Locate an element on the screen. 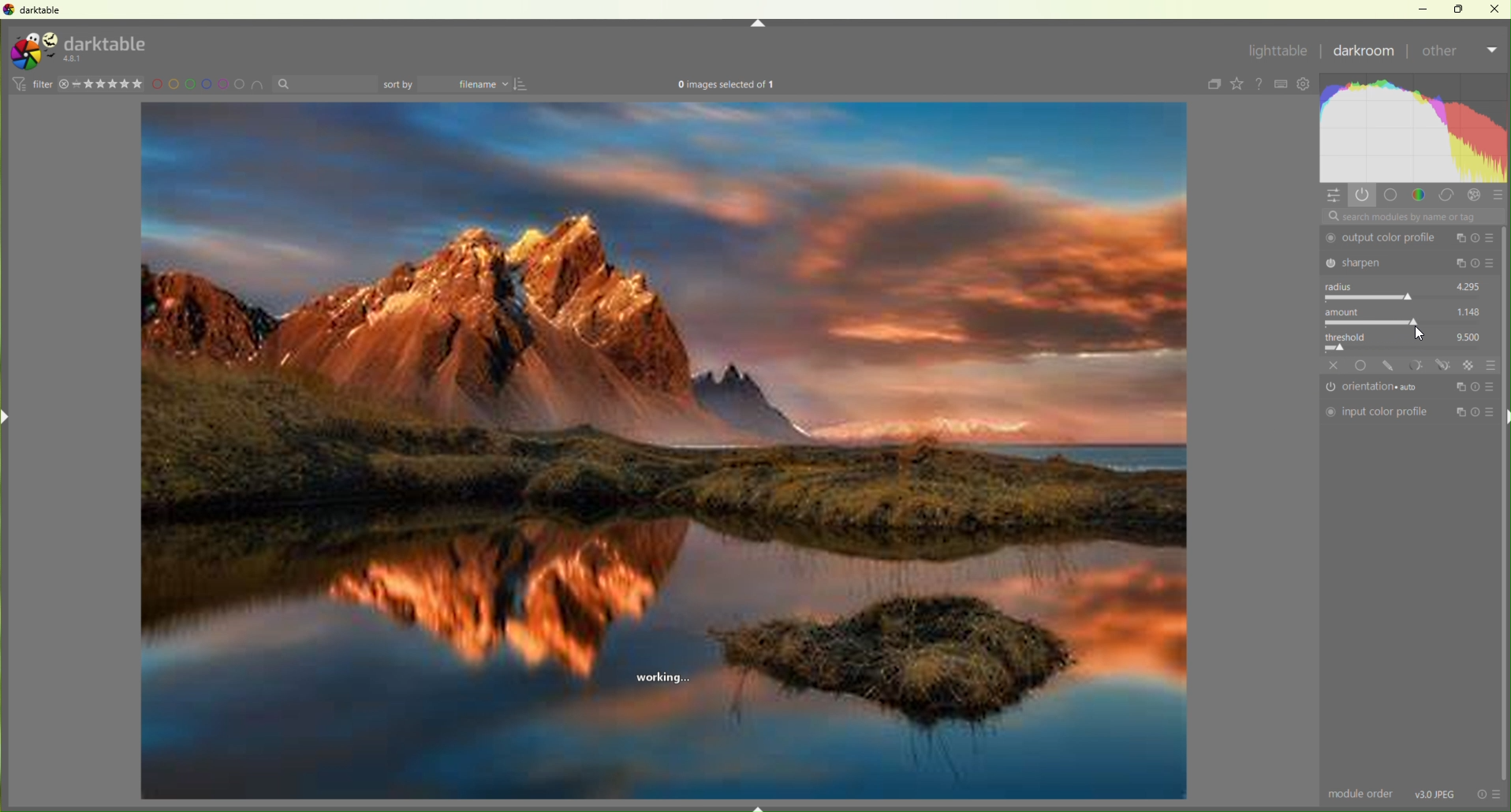  version is located at coordinates (75, 59).